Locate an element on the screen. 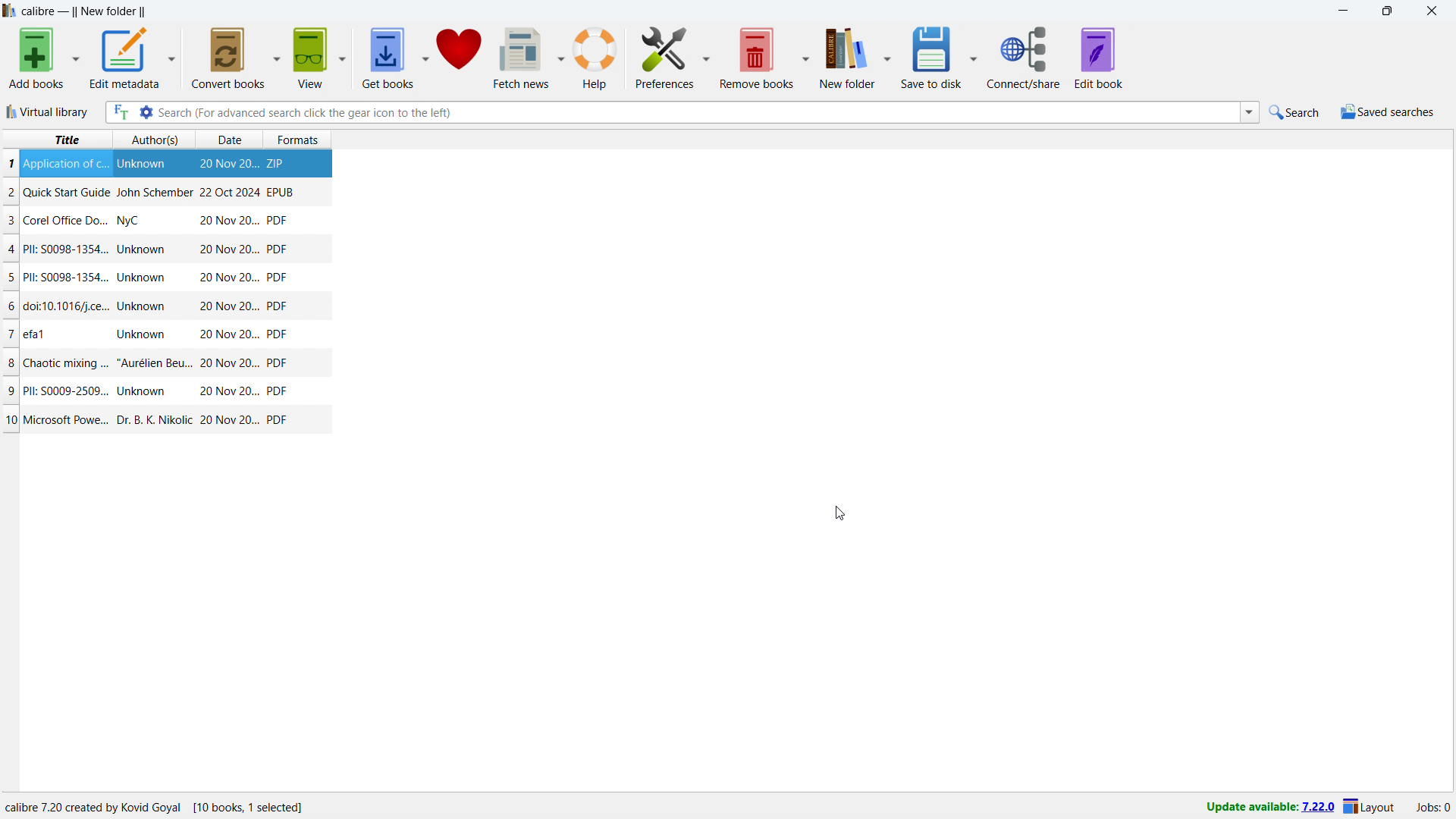  Title is located at coordinates (66, 362).